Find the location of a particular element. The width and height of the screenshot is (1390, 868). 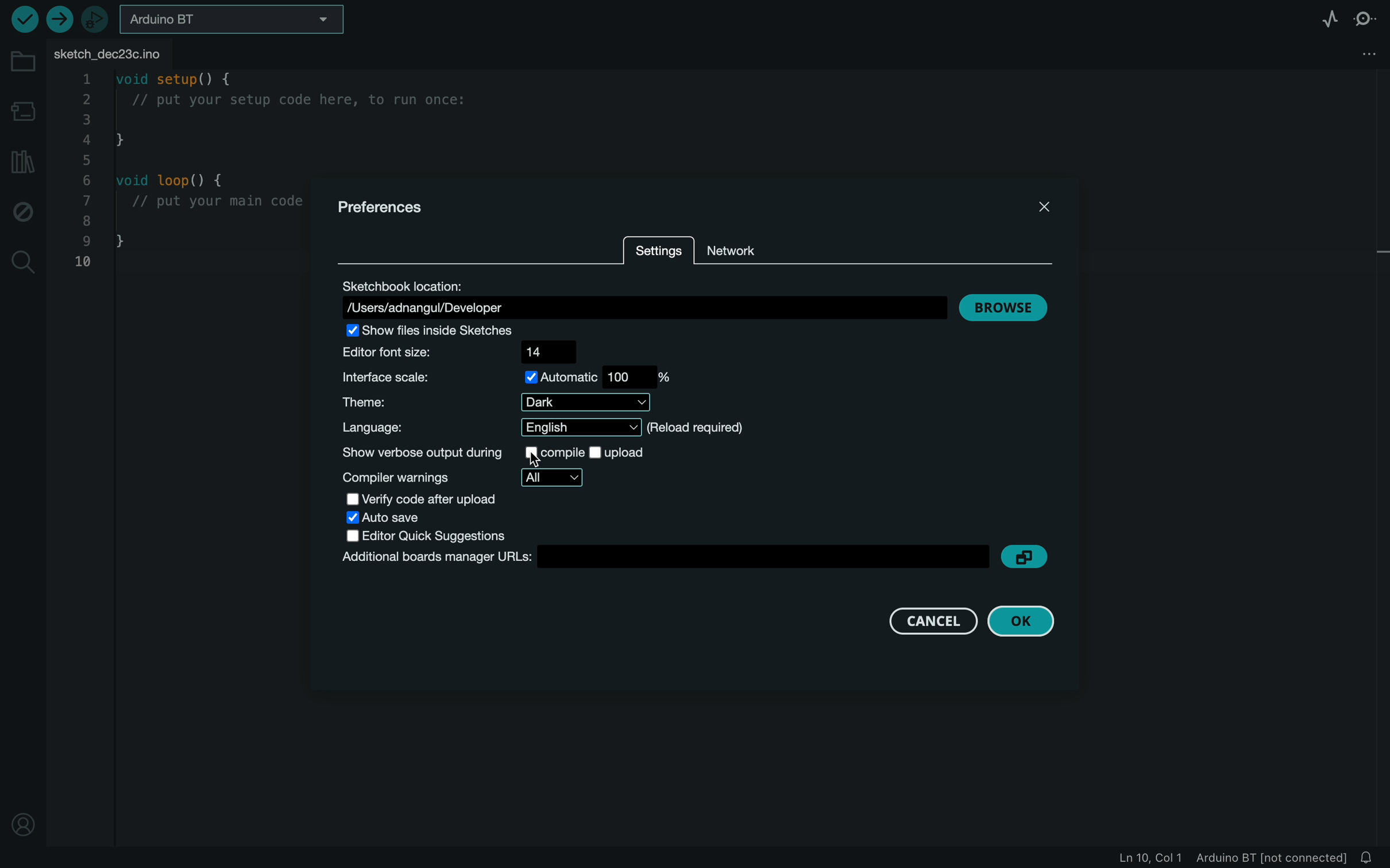

upload is located at coordinates (59, 18).